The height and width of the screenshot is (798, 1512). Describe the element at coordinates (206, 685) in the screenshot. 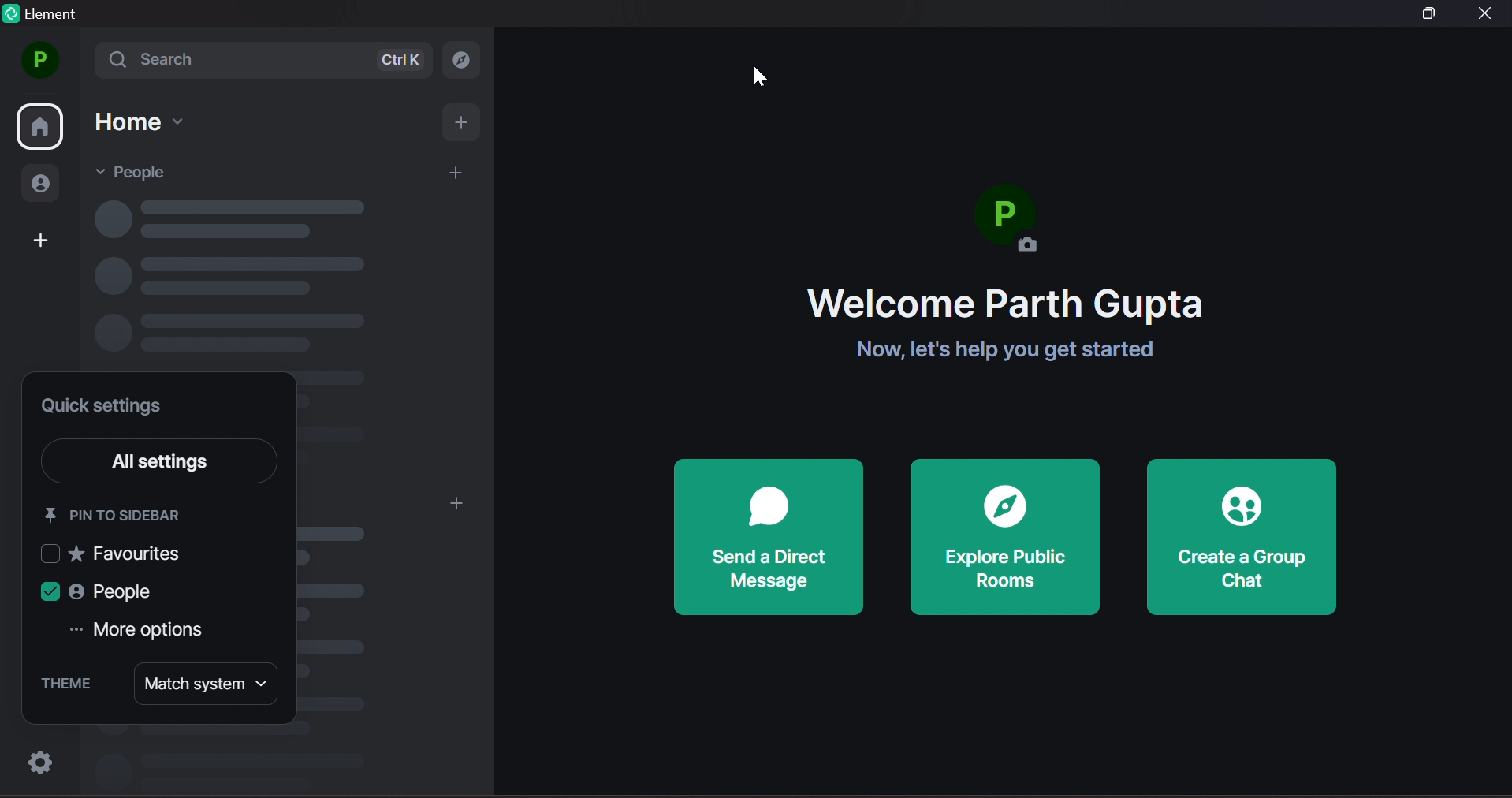

I see `Match system` at that location.